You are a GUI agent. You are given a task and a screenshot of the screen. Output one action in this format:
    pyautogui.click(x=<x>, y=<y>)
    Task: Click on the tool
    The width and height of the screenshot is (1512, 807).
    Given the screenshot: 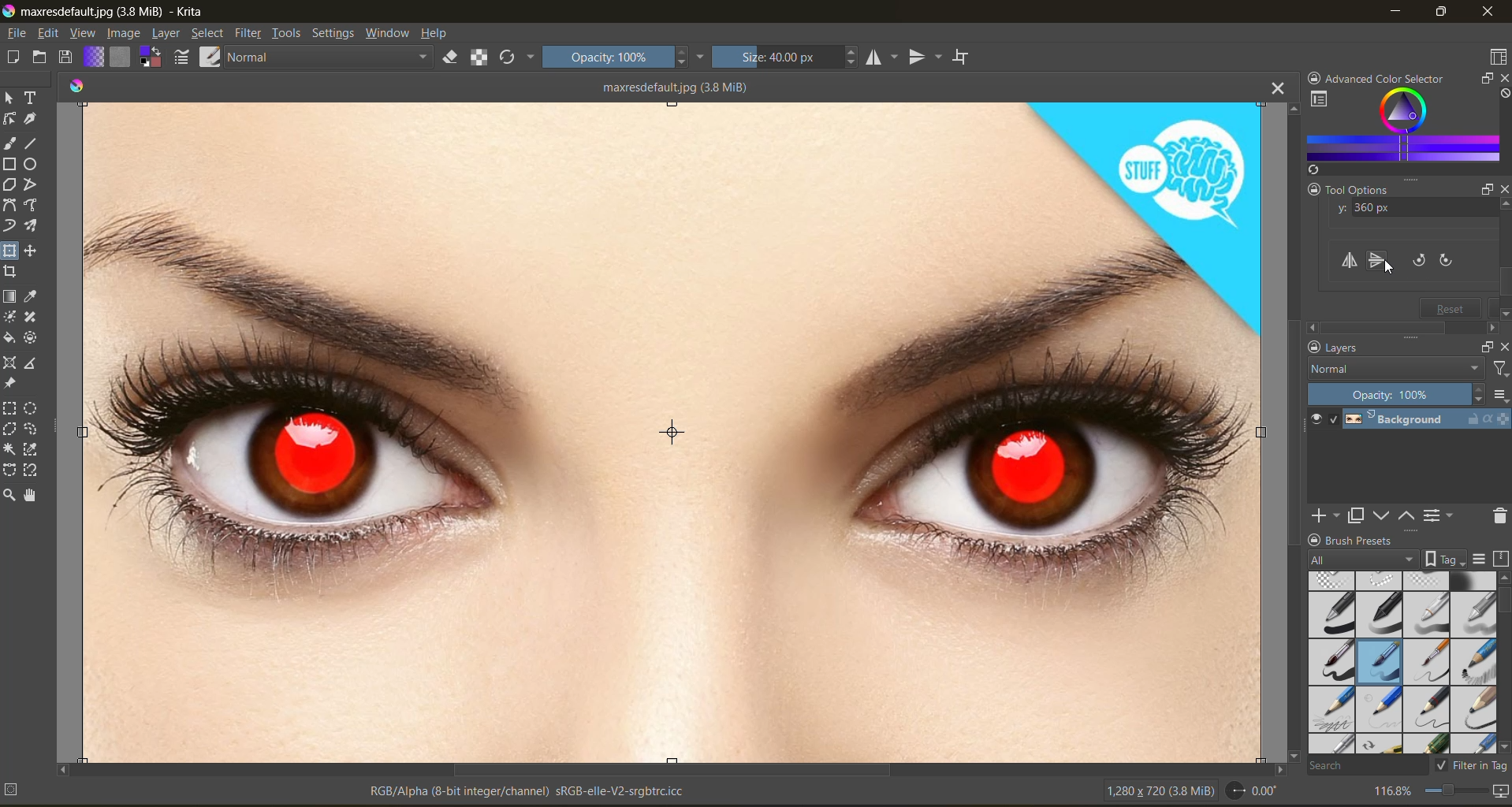 What is the action you would take?
    pyautogui.click(x=35, y=428)
    